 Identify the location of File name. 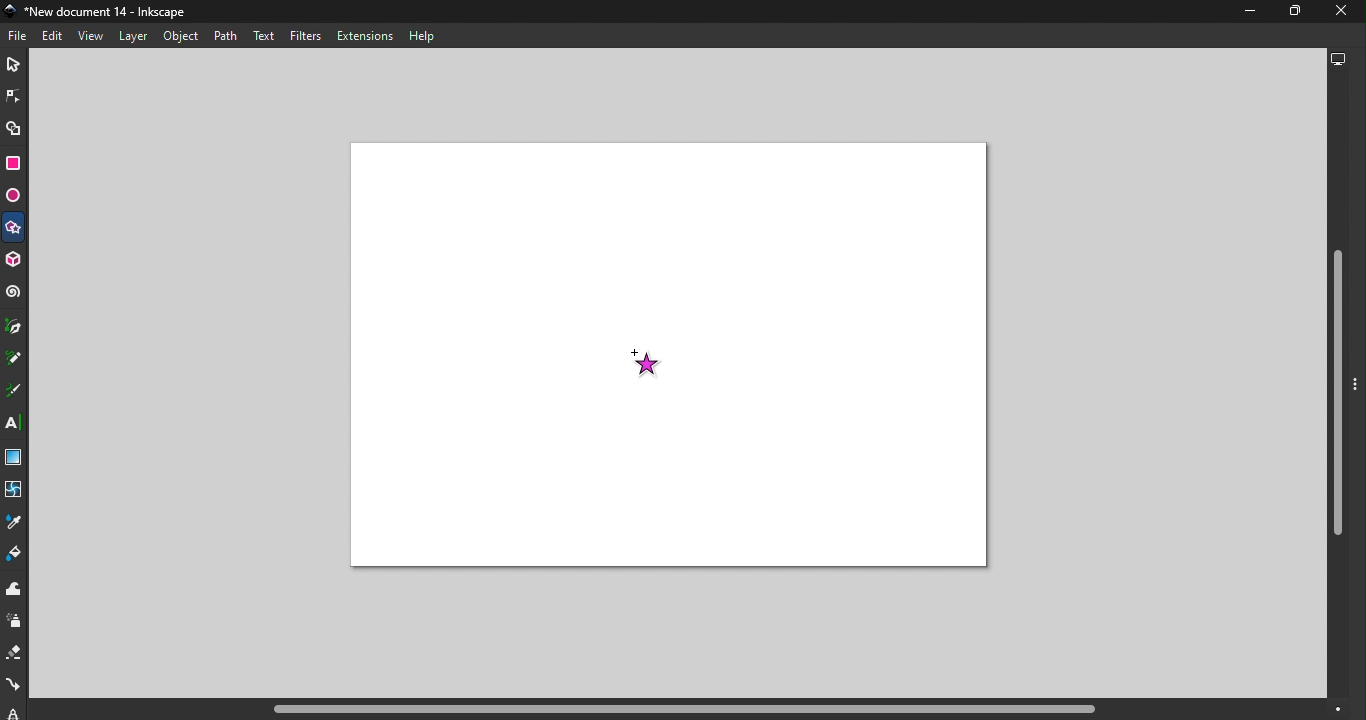
(102, 13).